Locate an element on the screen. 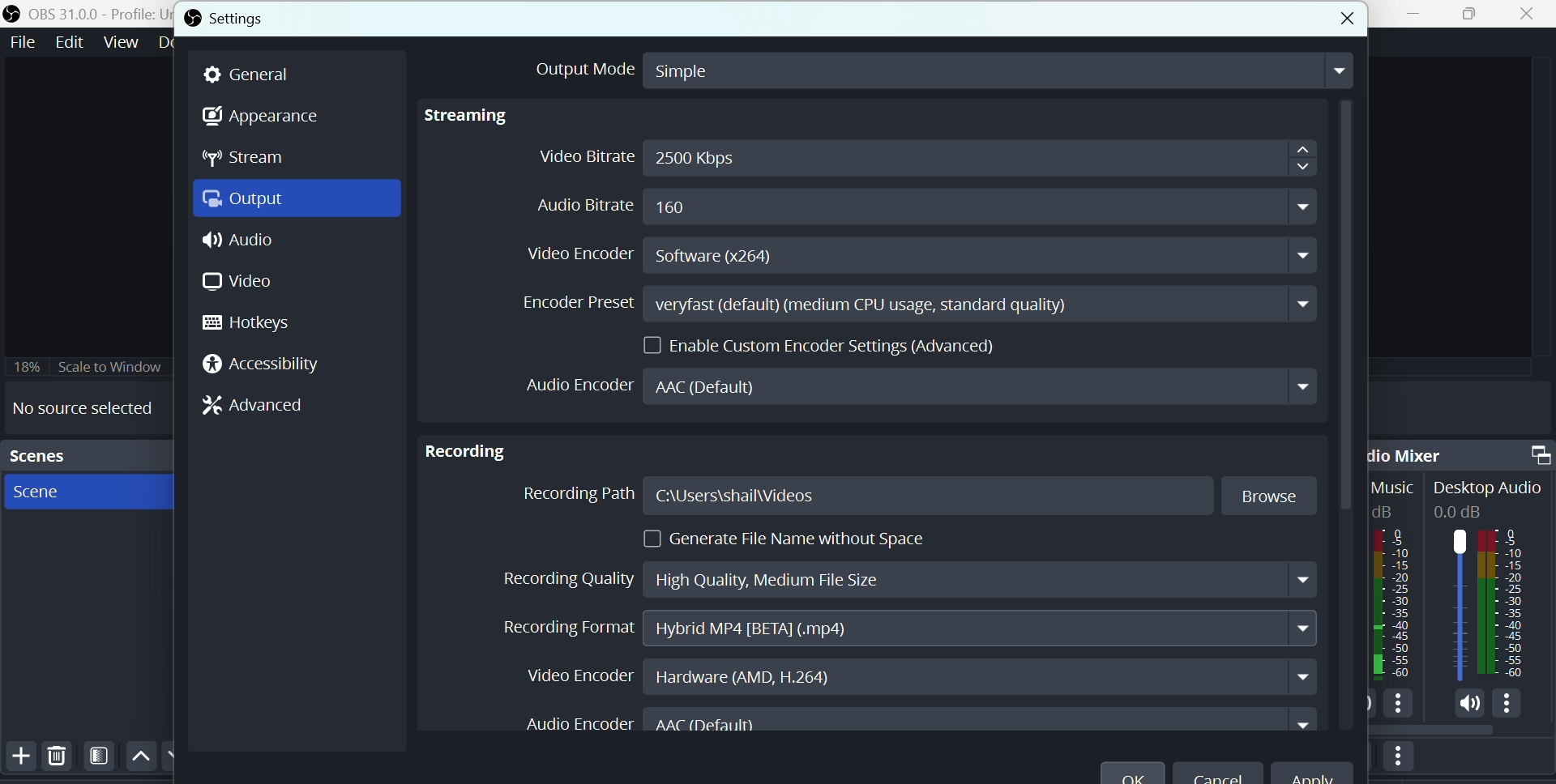 This screenshot has height=784, width=1556. Recording is located at coordinates (460, 453).